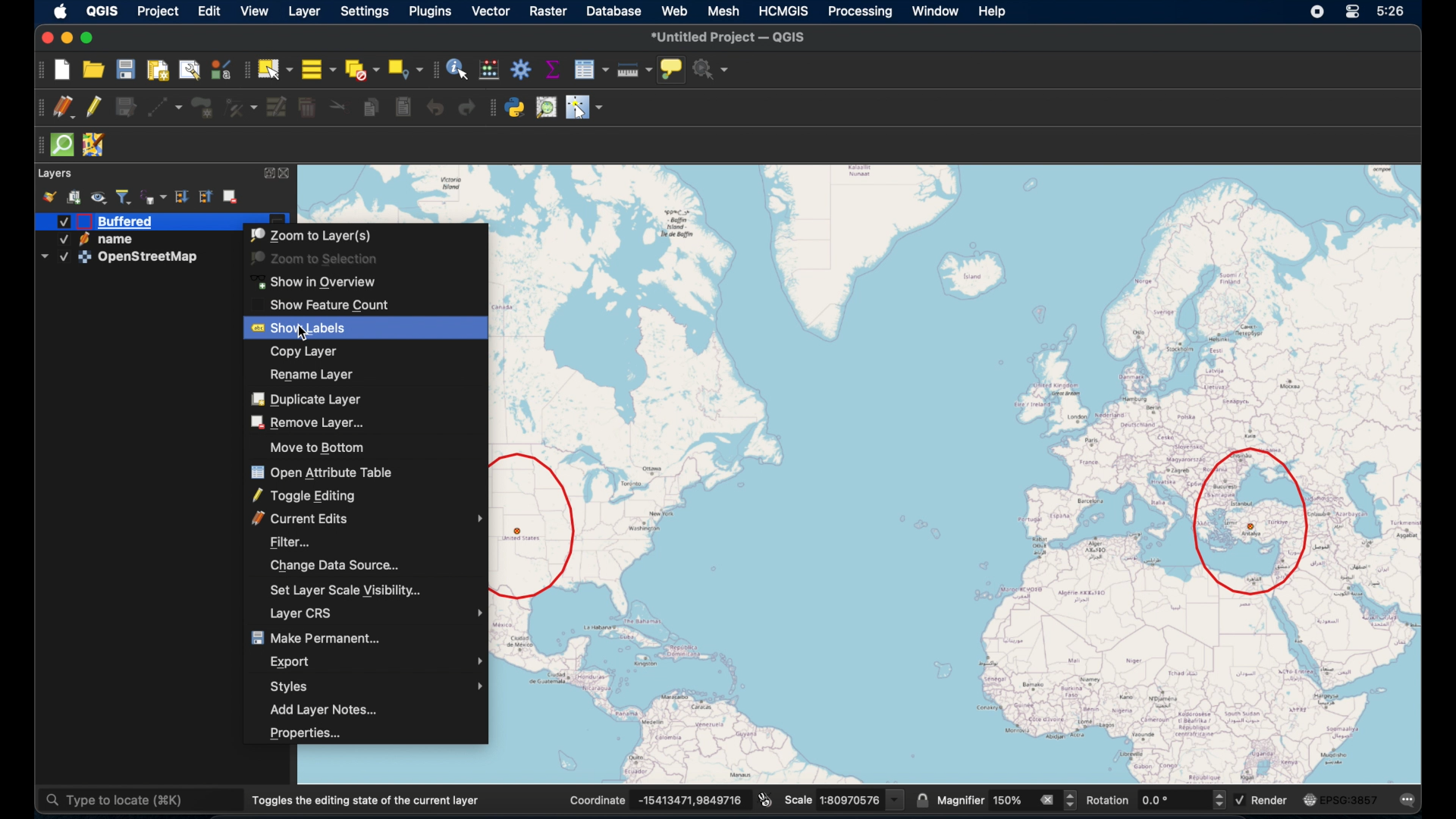  Describe the element at coordinates (406, 67) in the screenshot. I see `select by location` at that location.